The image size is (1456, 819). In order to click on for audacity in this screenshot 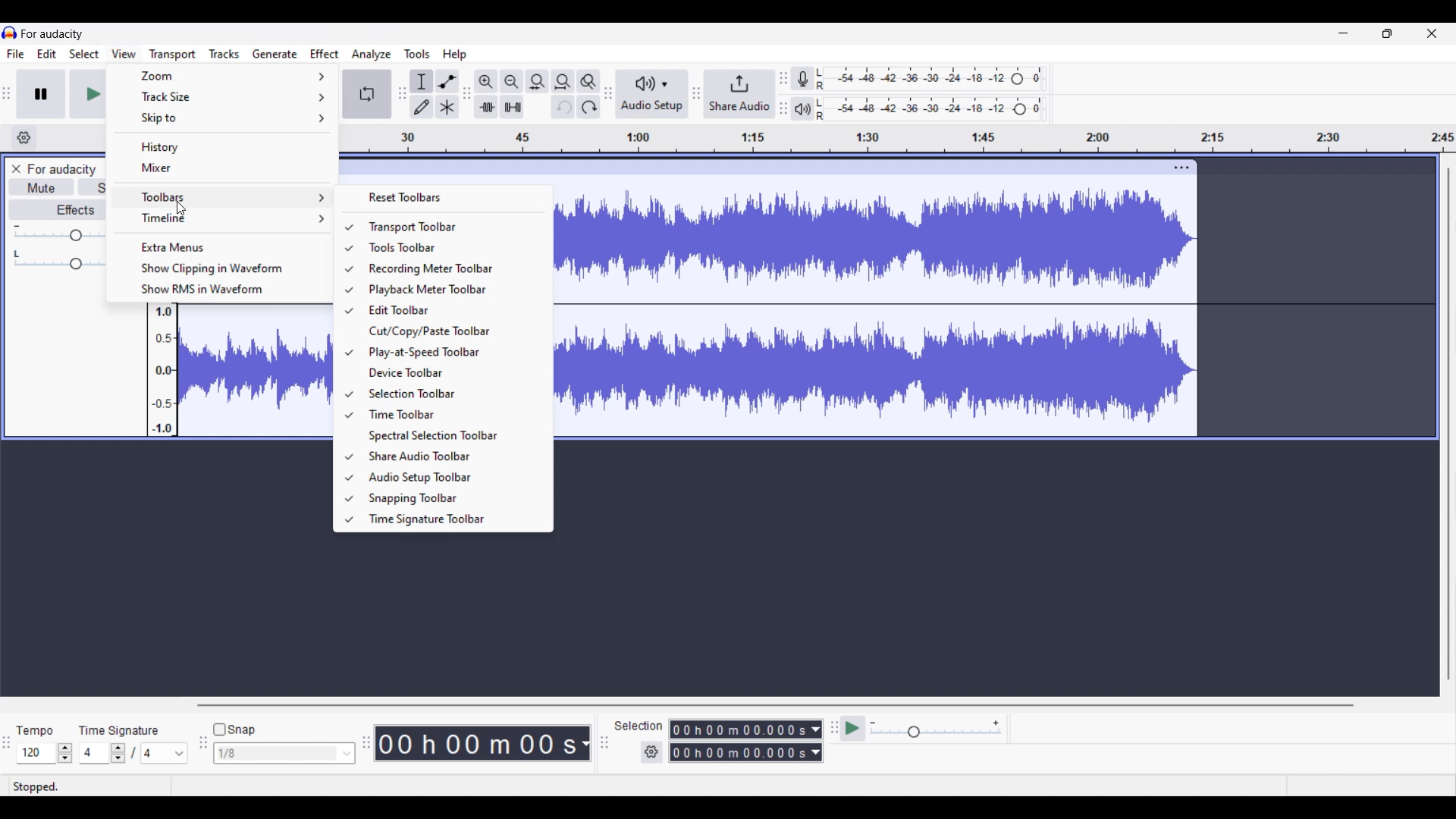, I will do `click(52, 34)`.